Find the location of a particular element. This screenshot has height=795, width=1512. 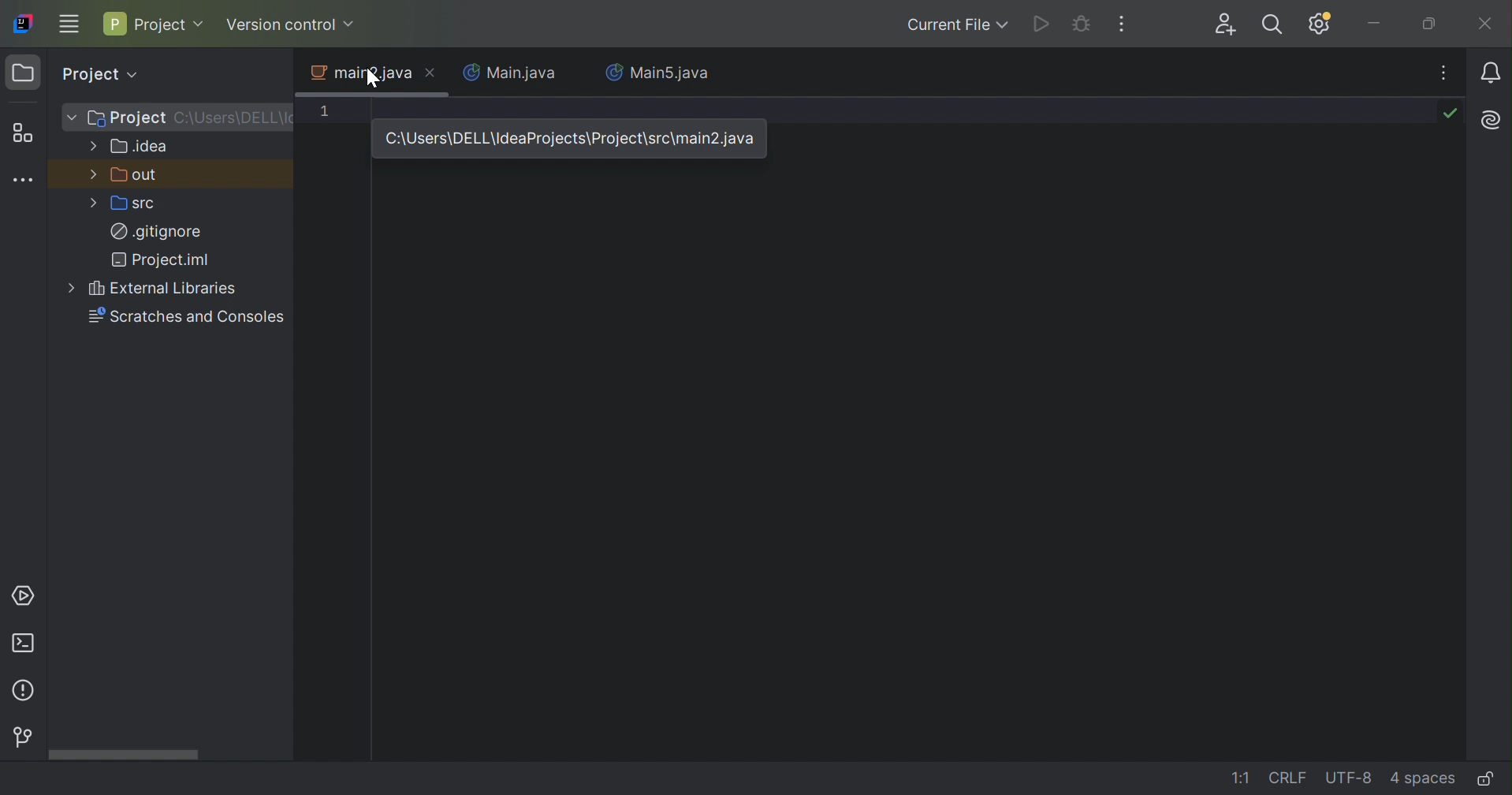

.idea is located at coordinates (140, 147).